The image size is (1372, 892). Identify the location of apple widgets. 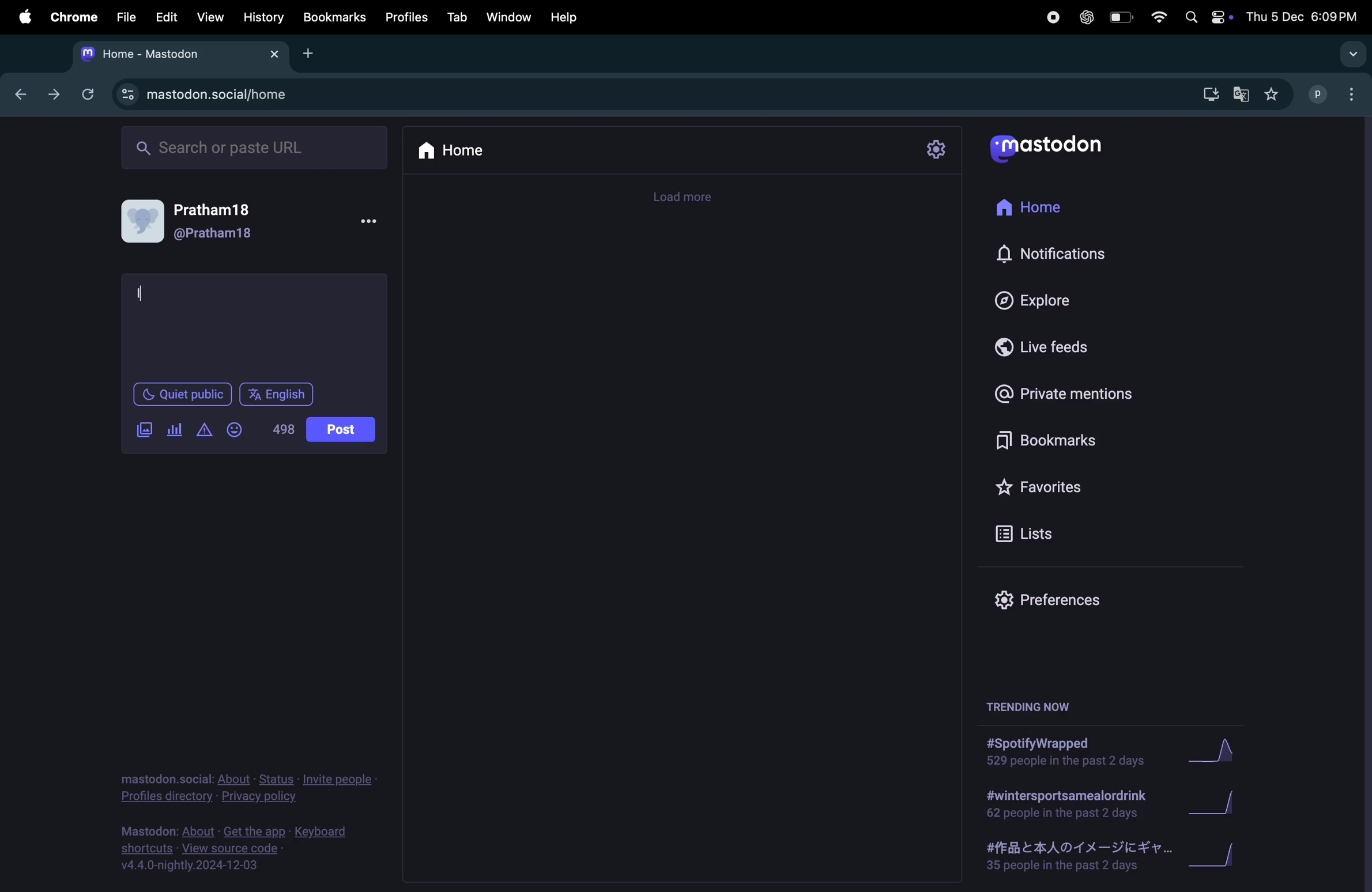
(1207, 17).